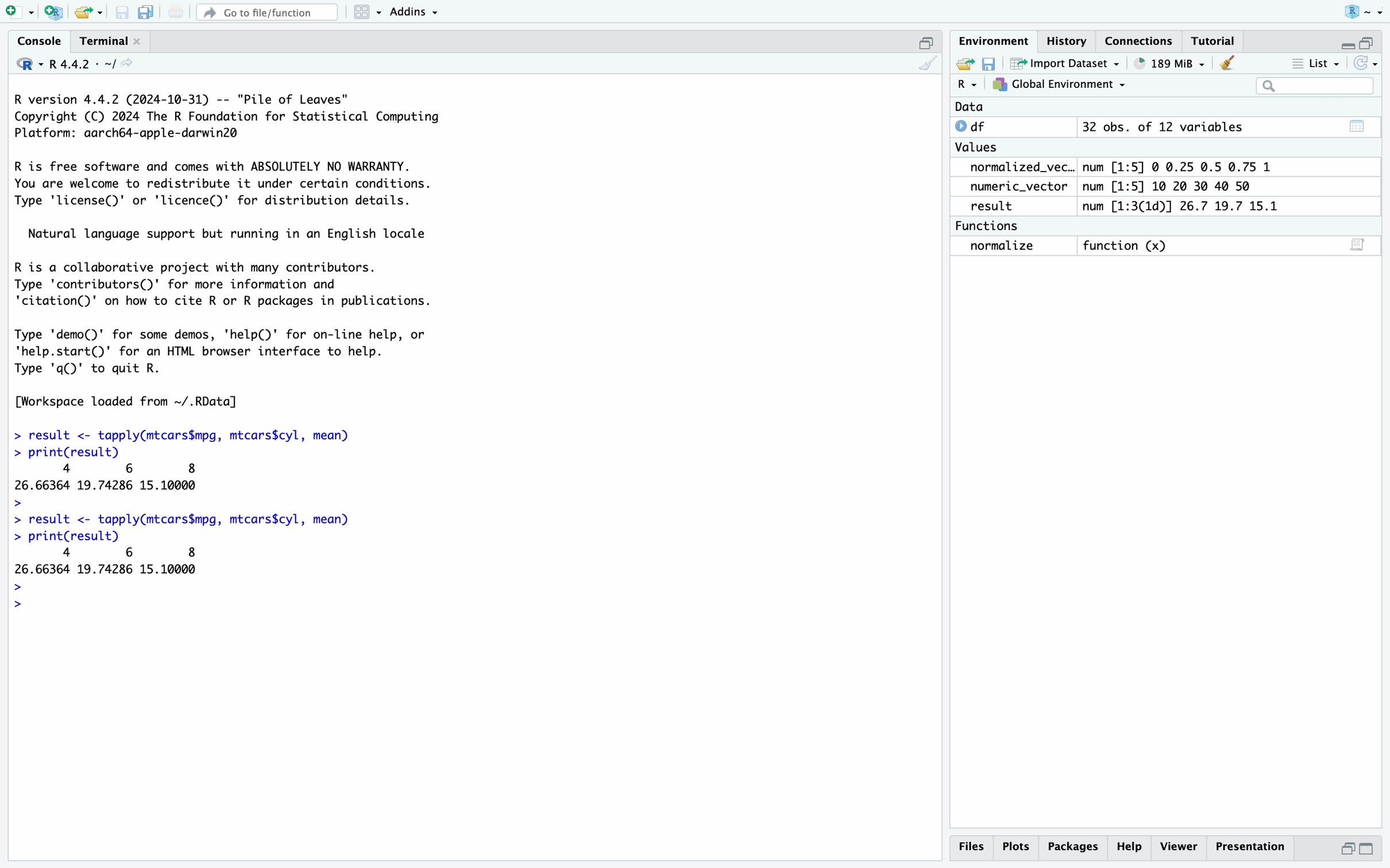  Describe the element at coordinates (1228, 64) in the screenshot. I see `Clear` at that location.